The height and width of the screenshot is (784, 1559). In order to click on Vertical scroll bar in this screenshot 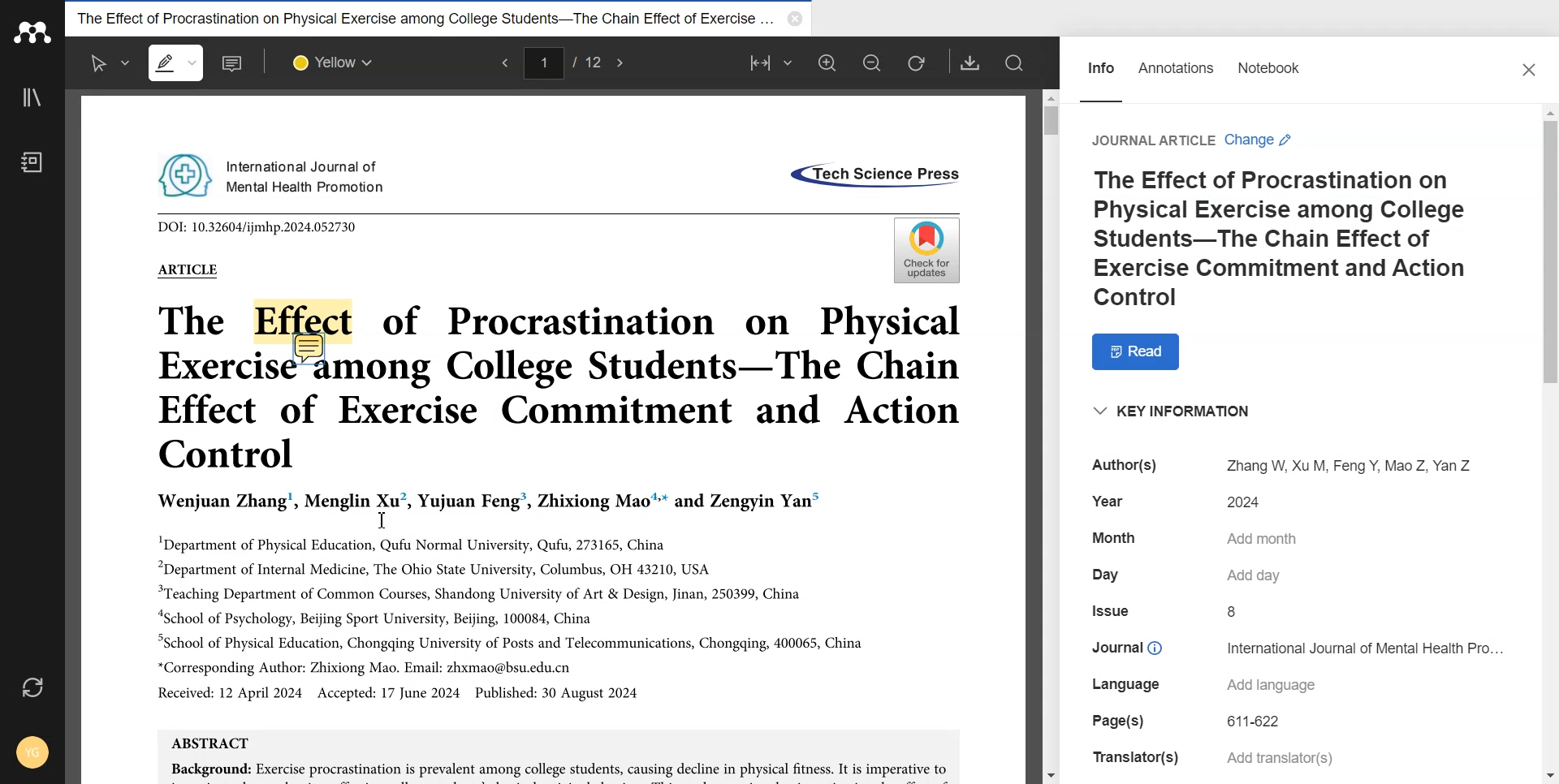, I will do `click(1549, 442)`.